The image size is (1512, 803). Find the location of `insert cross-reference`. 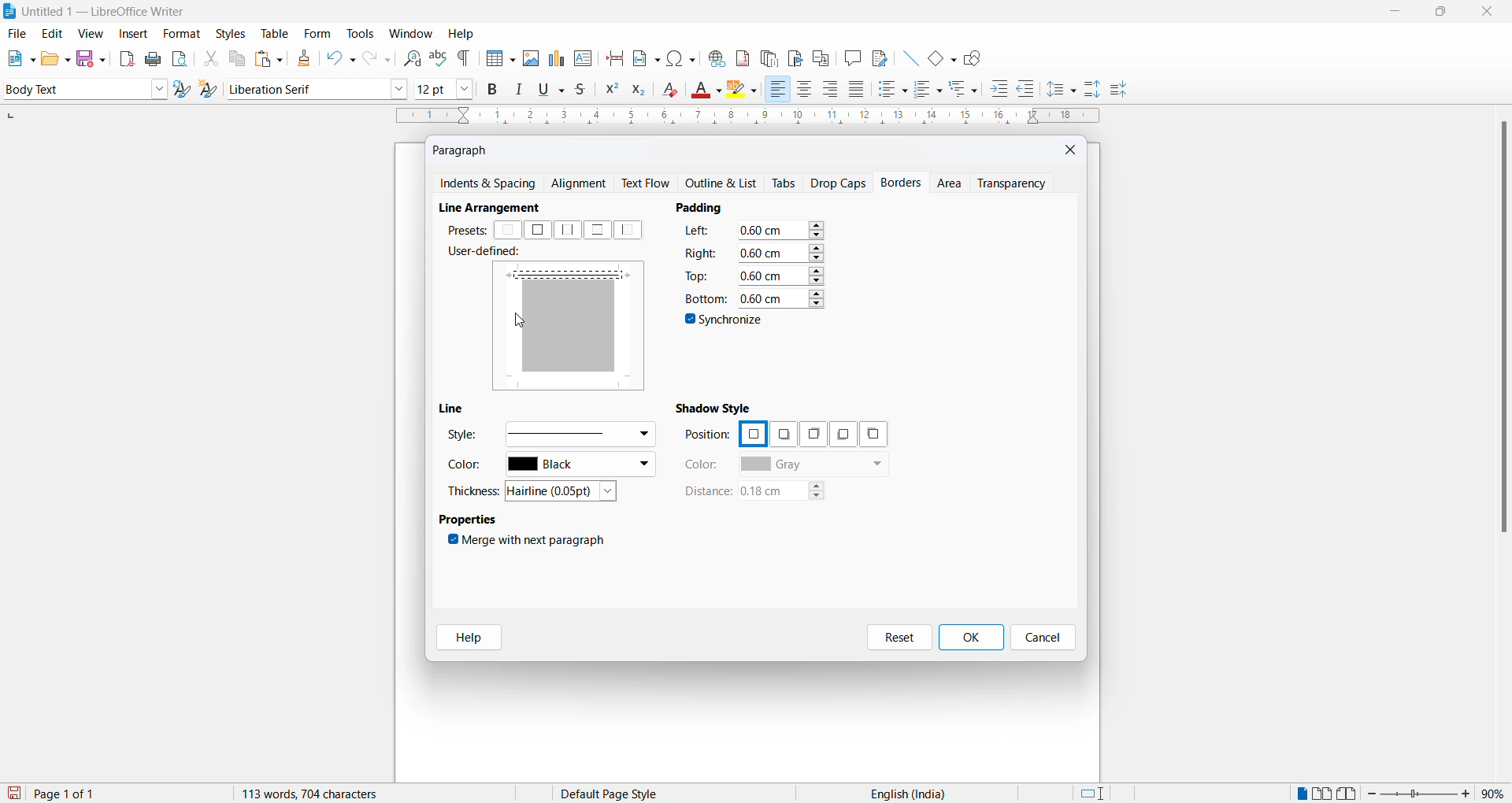

insert cross-reference is located at coordinates (878, 57).